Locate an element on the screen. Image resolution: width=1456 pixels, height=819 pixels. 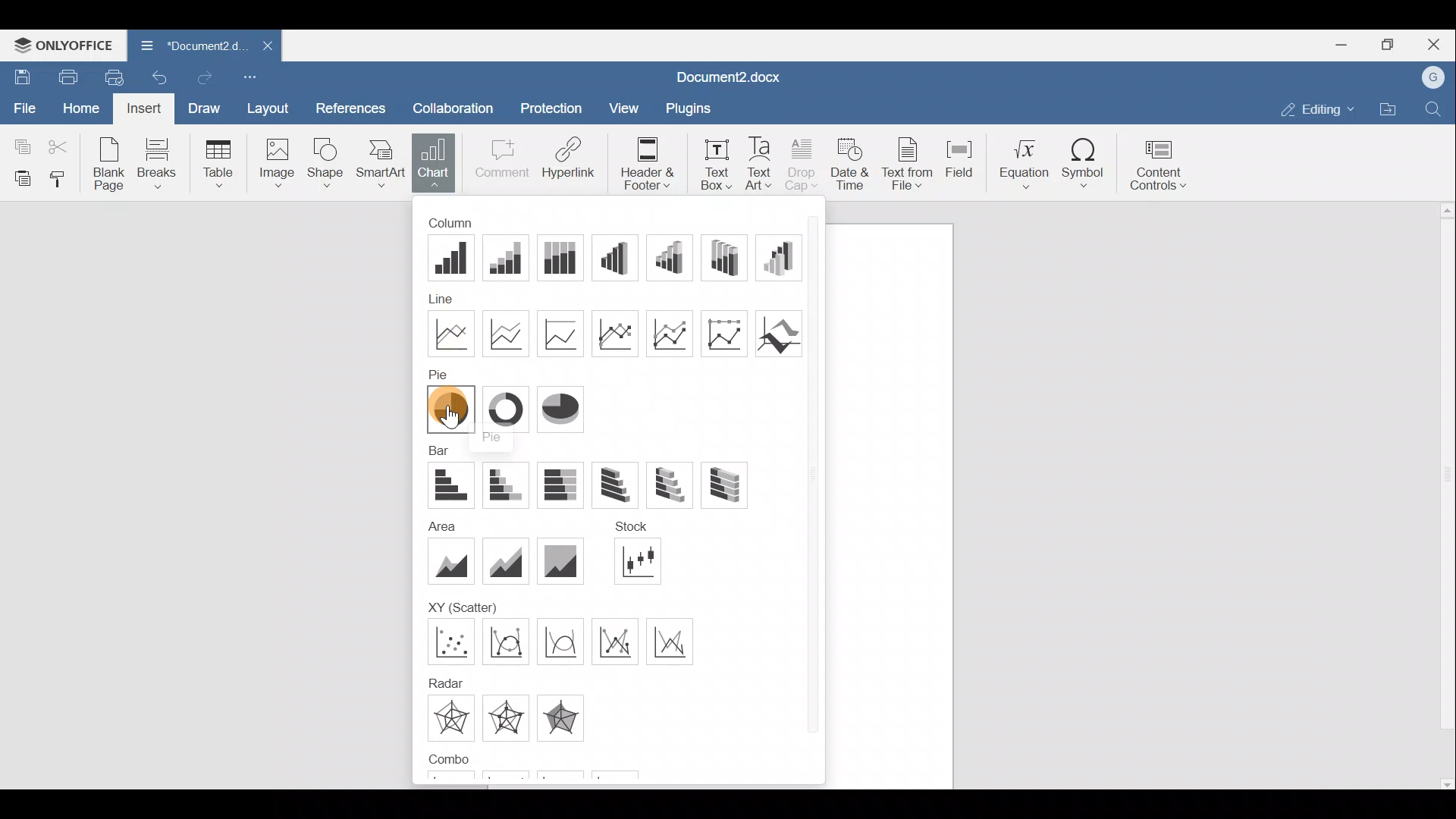
Radar with markers is located at coordinates (455, 718).